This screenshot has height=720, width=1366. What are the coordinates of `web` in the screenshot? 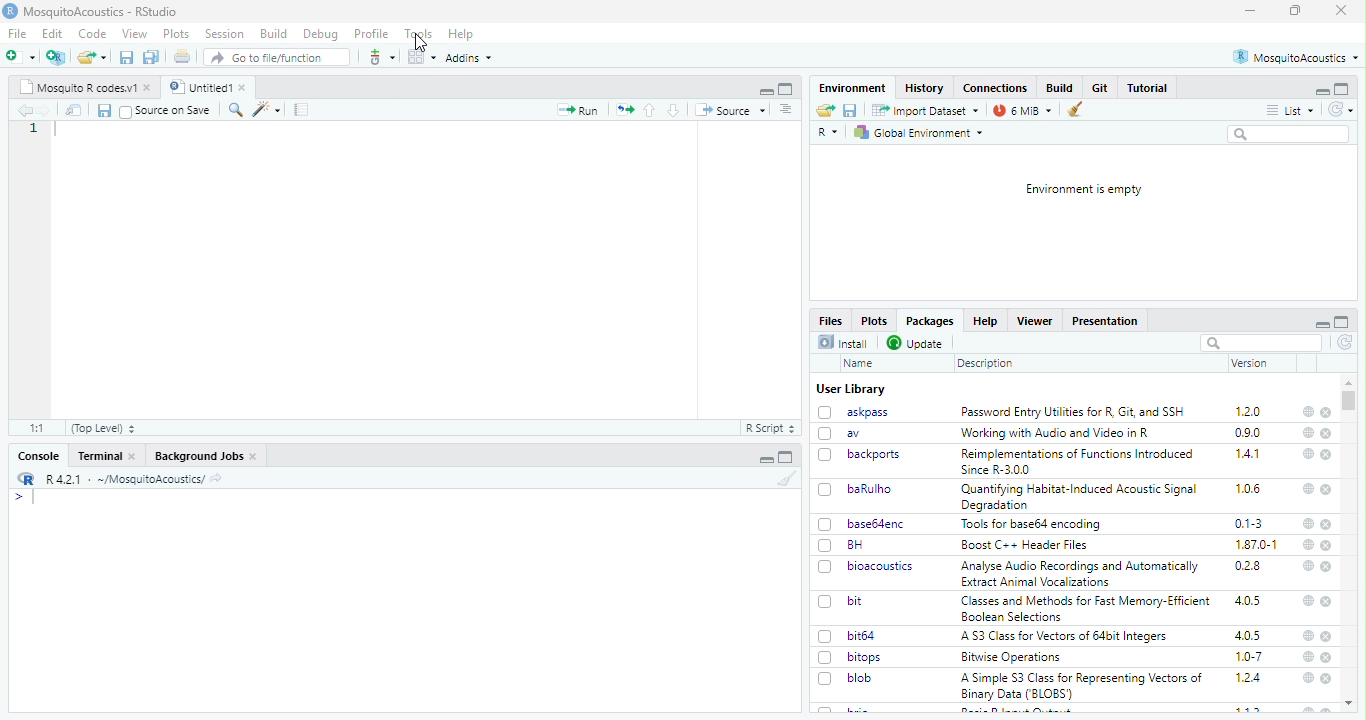 It's located at (1308, 566).